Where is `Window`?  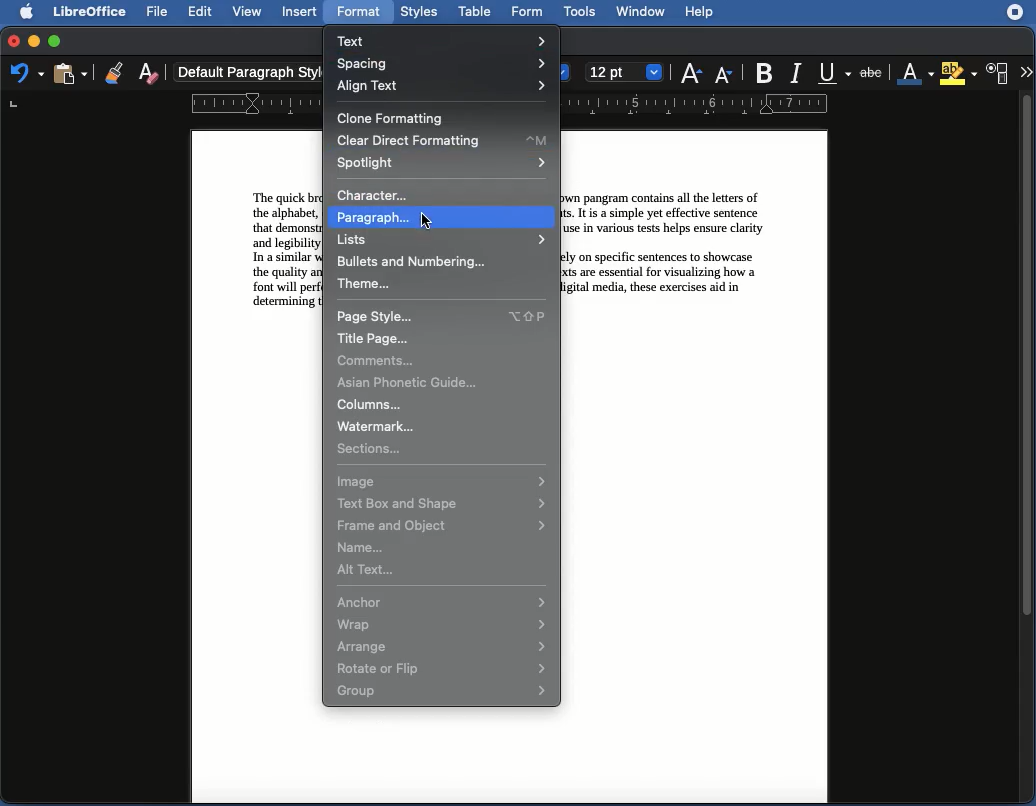 Window is located at coordinates (640, 12).